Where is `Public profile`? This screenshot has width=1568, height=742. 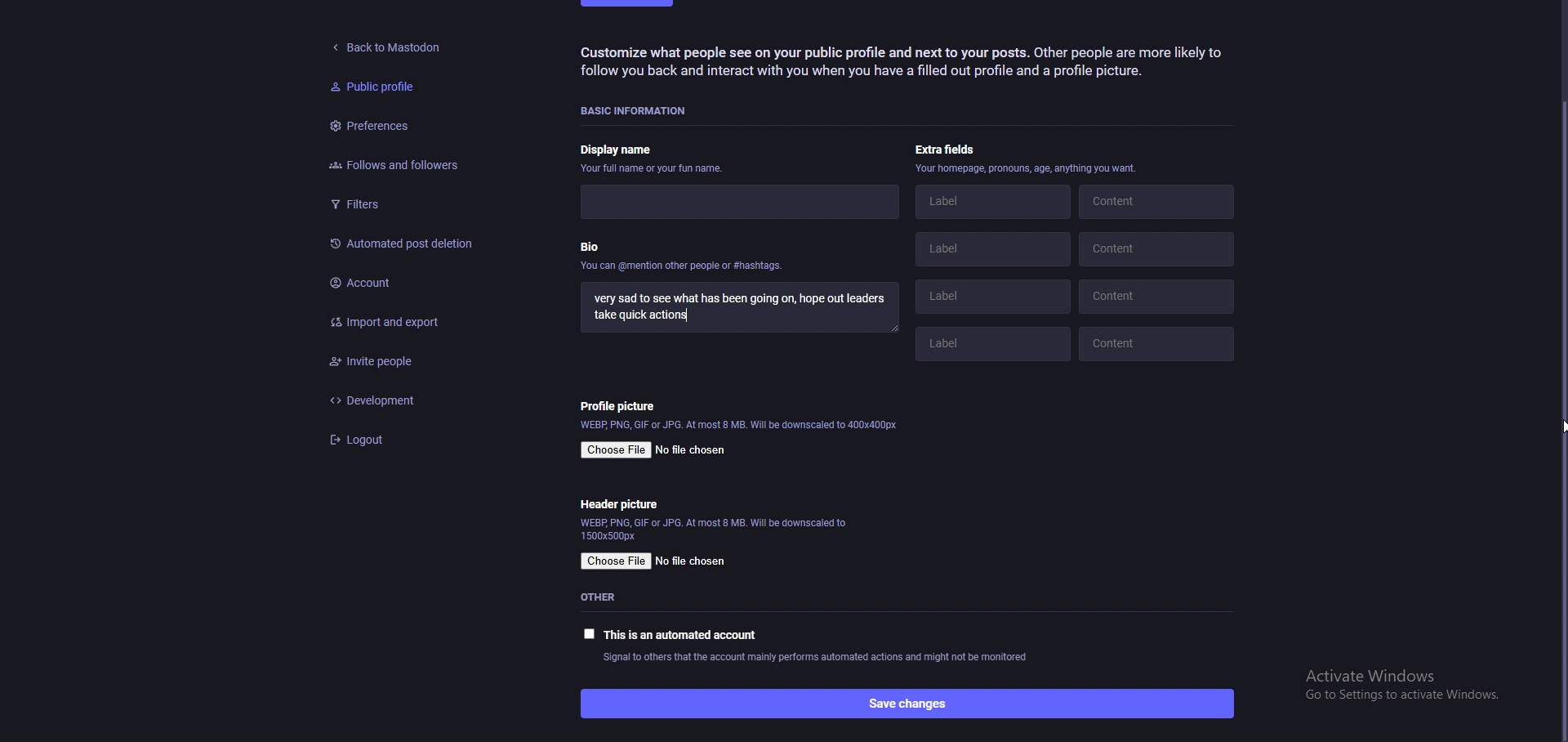 Public profile is located at coordinates (370, 87).